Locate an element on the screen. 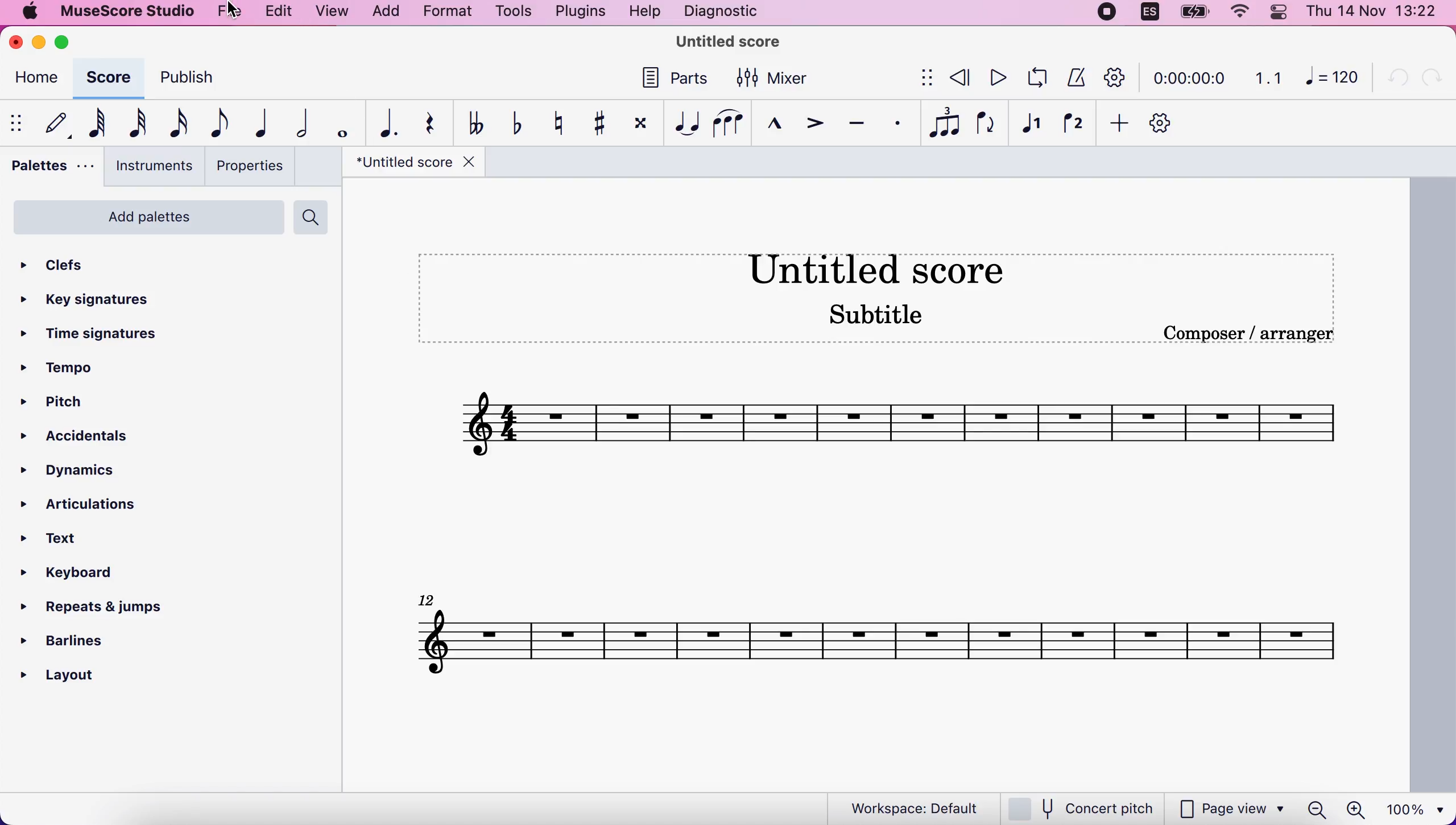 The height and width of the screenshot is (825, 1456). toggle natural is located at coordinates (556, 126).